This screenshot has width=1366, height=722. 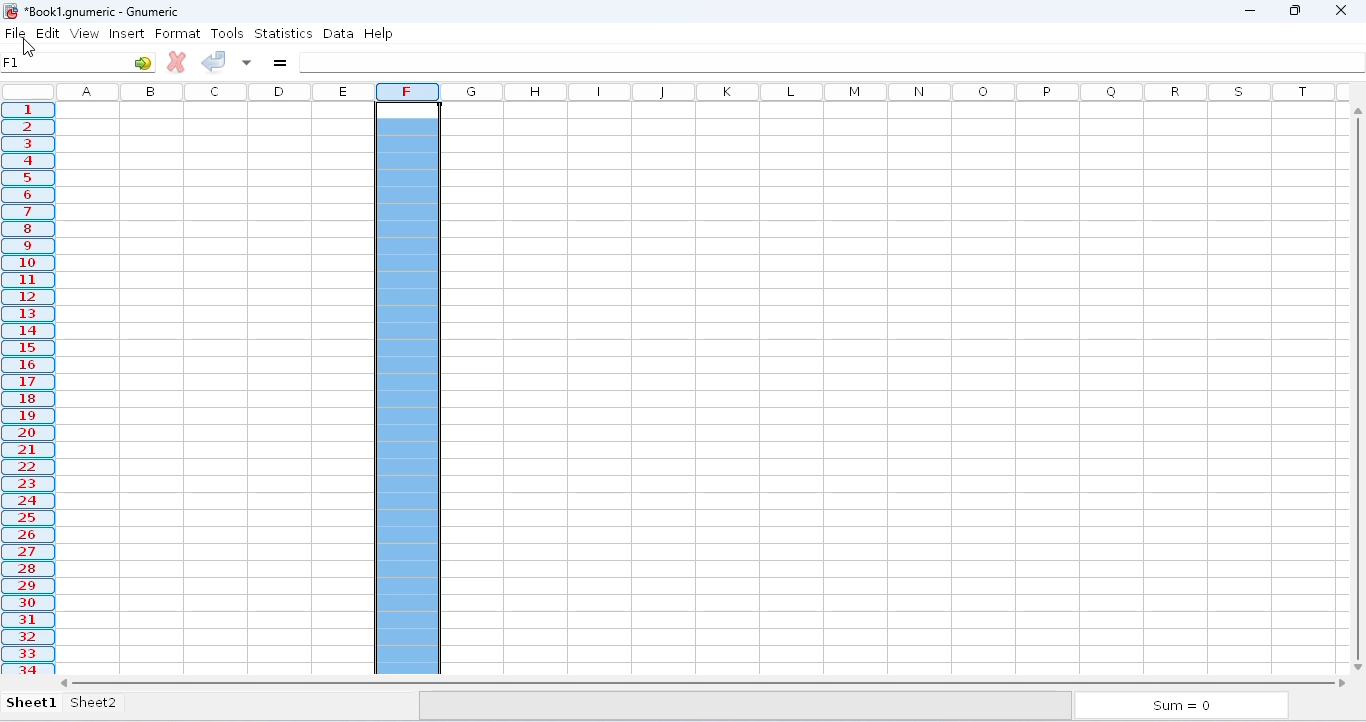 What do you see at coordinates (1342, 10) in the screenshot?
I see `close` at bounding box center [1342, 10].